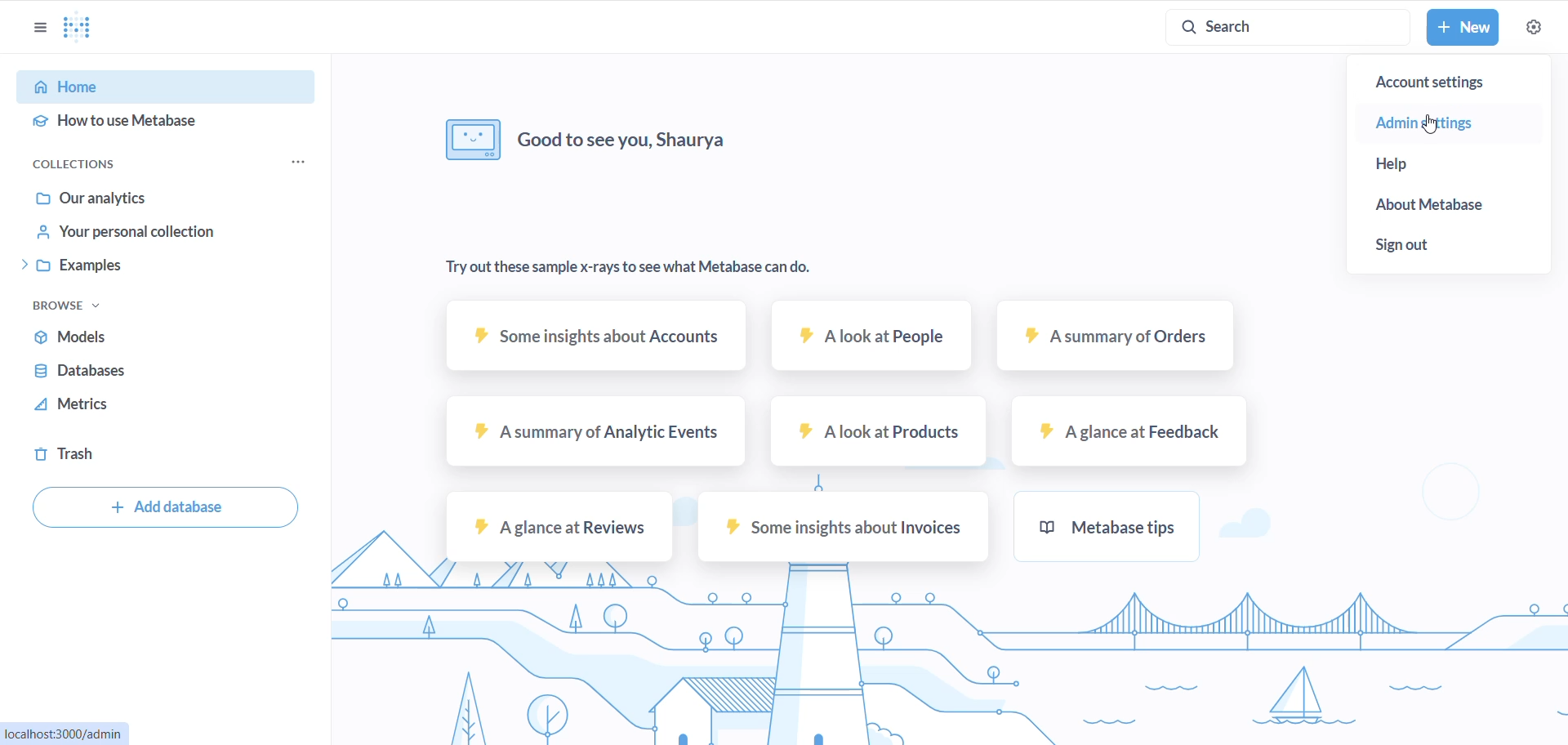 The image size is (1568, 745). What do you see at coordinates (846, 526) in the screenshot?
I see `some insights about invoices sample` at bounding box center [846, 526].